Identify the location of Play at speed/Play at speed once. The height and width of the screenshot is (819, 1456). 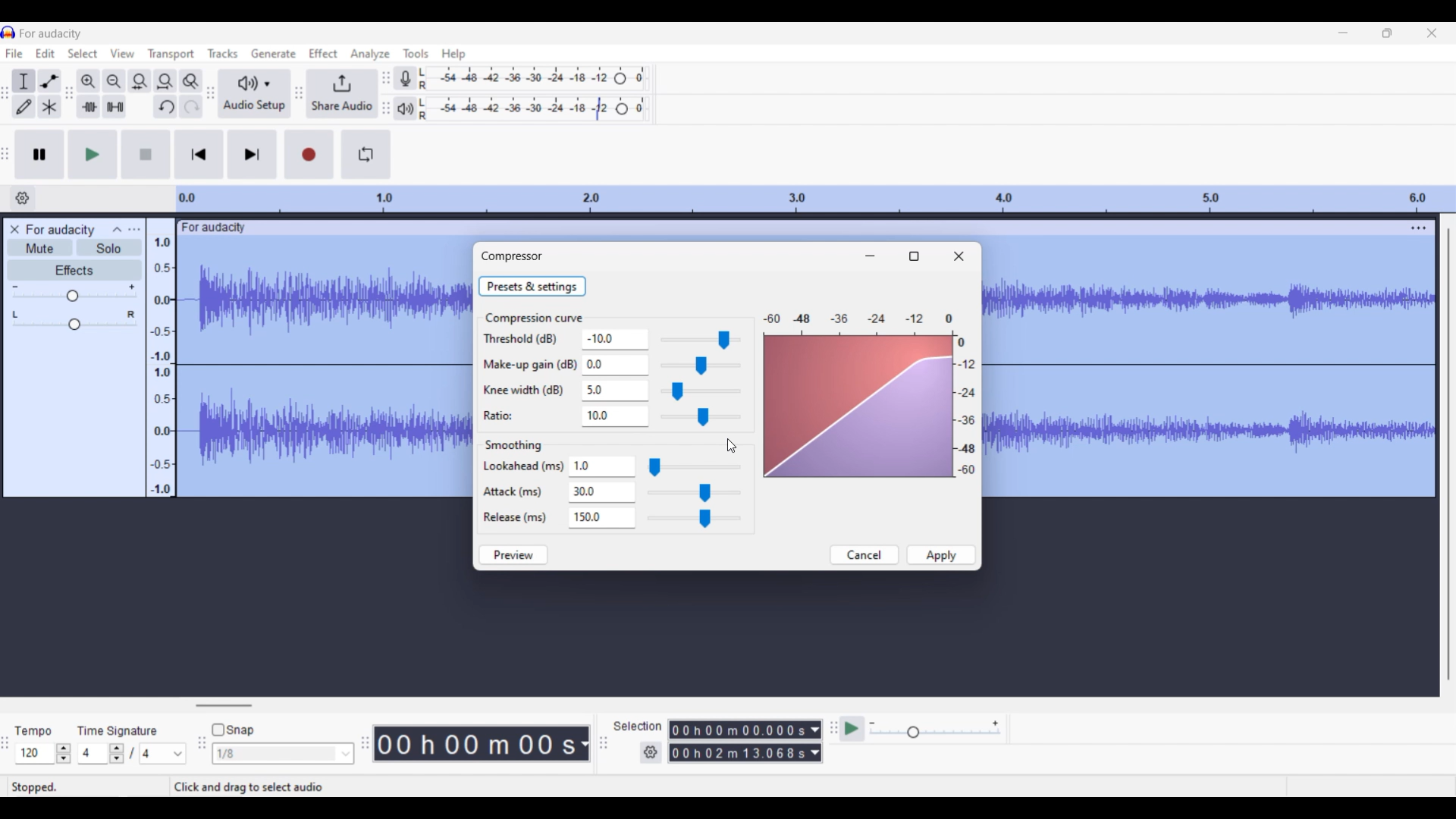
(852, 729).